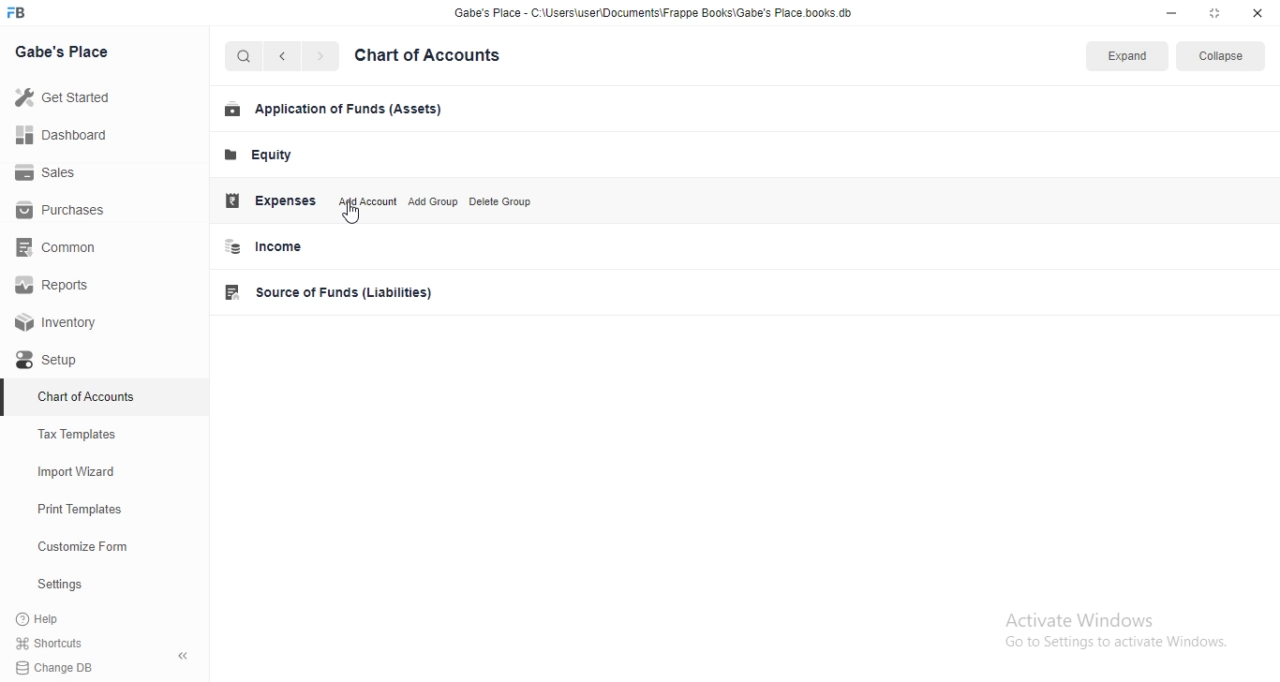 This screenshot has height=682, width=1280. What do you see at coordinates (656, 16) in the screenshot?
I see `Gabe's Place - C\Users\userDocuments\Frappe Books\Gabe's Place.books.db.` at bounding box center [656, 16].